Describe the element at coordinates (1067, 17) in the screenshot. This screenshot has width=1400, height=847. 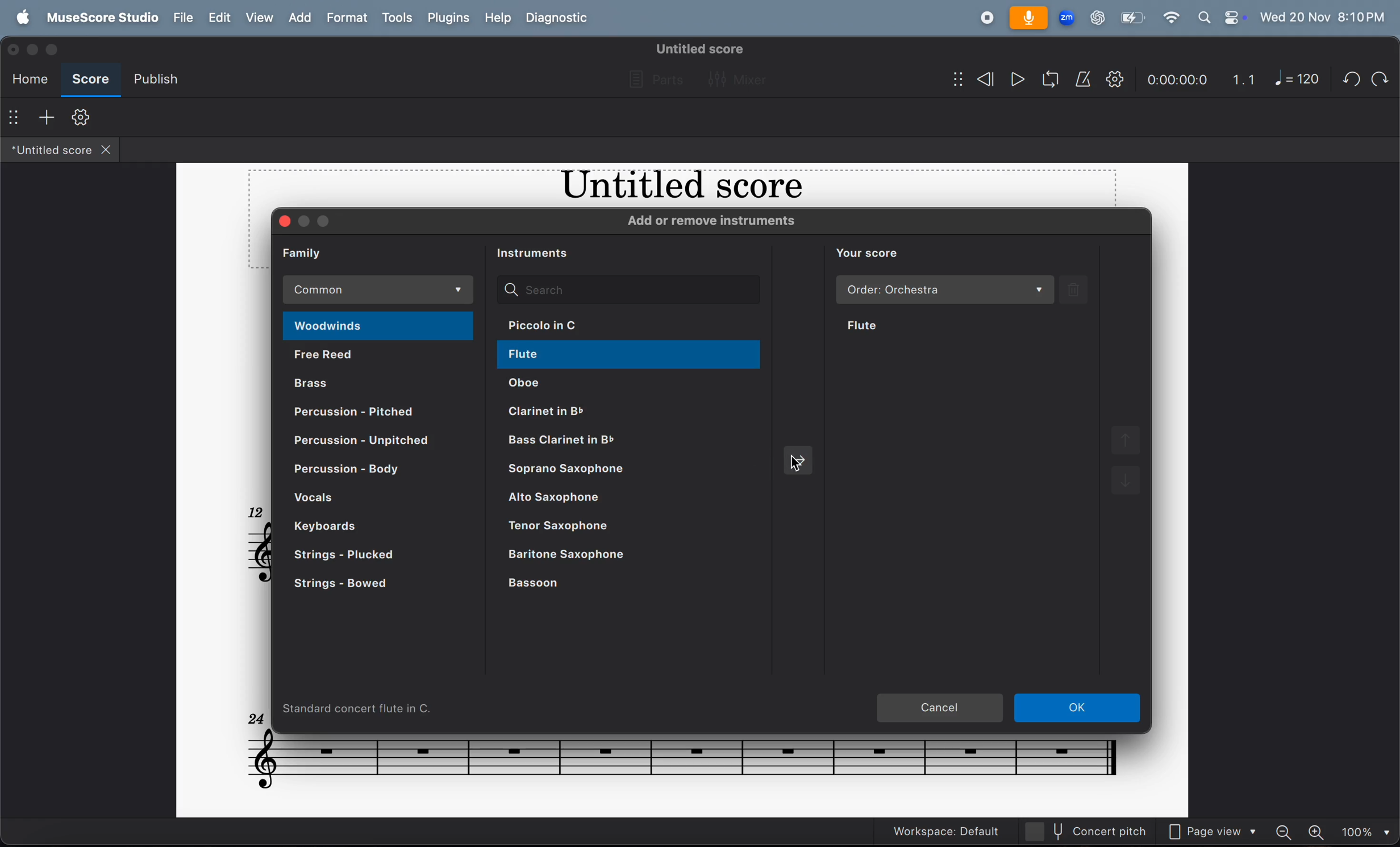
I see `zoom` at that location.